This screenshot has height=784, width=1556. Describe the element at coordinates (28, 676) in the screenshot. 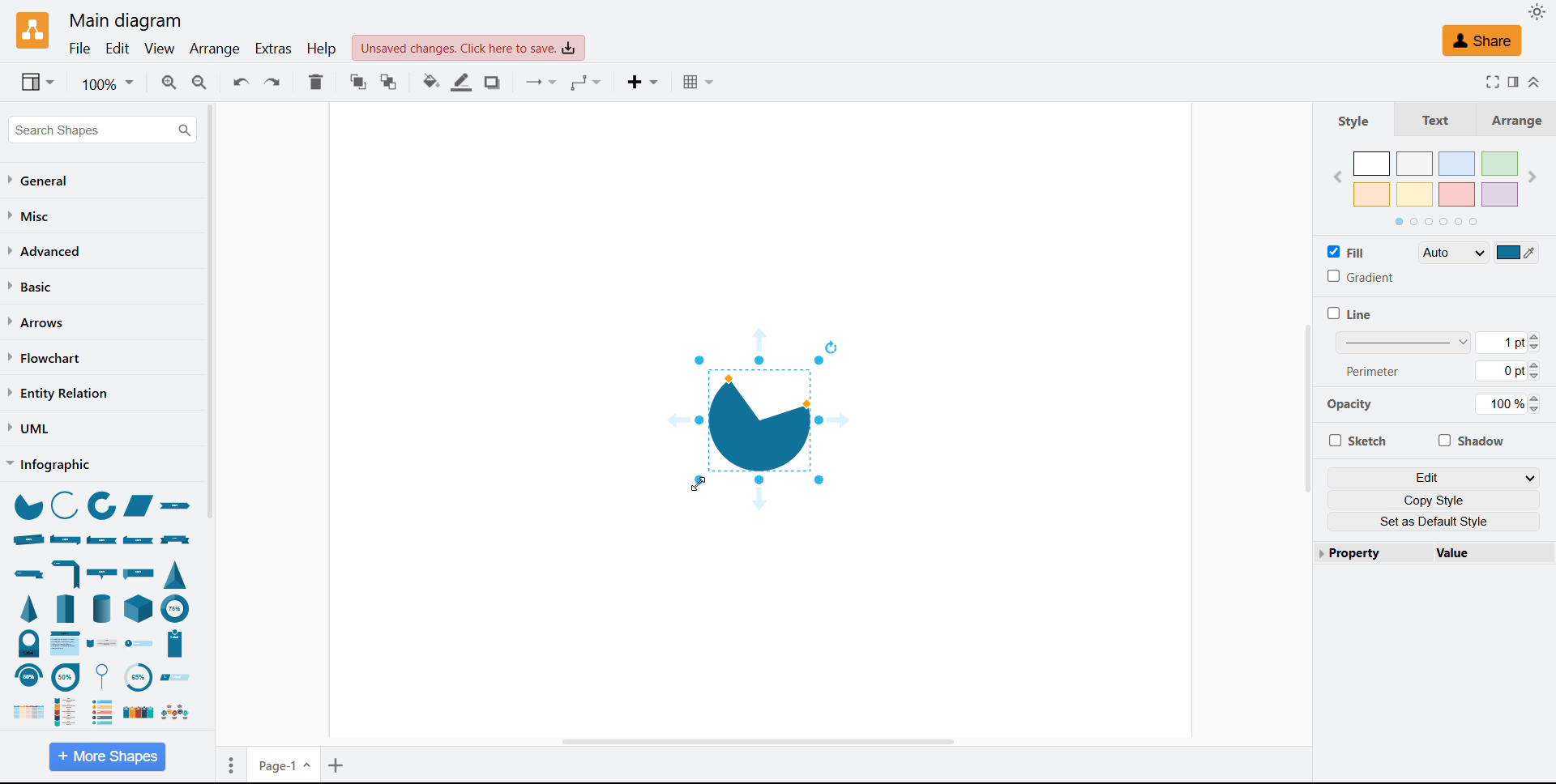

I see `bending arch` at that location.